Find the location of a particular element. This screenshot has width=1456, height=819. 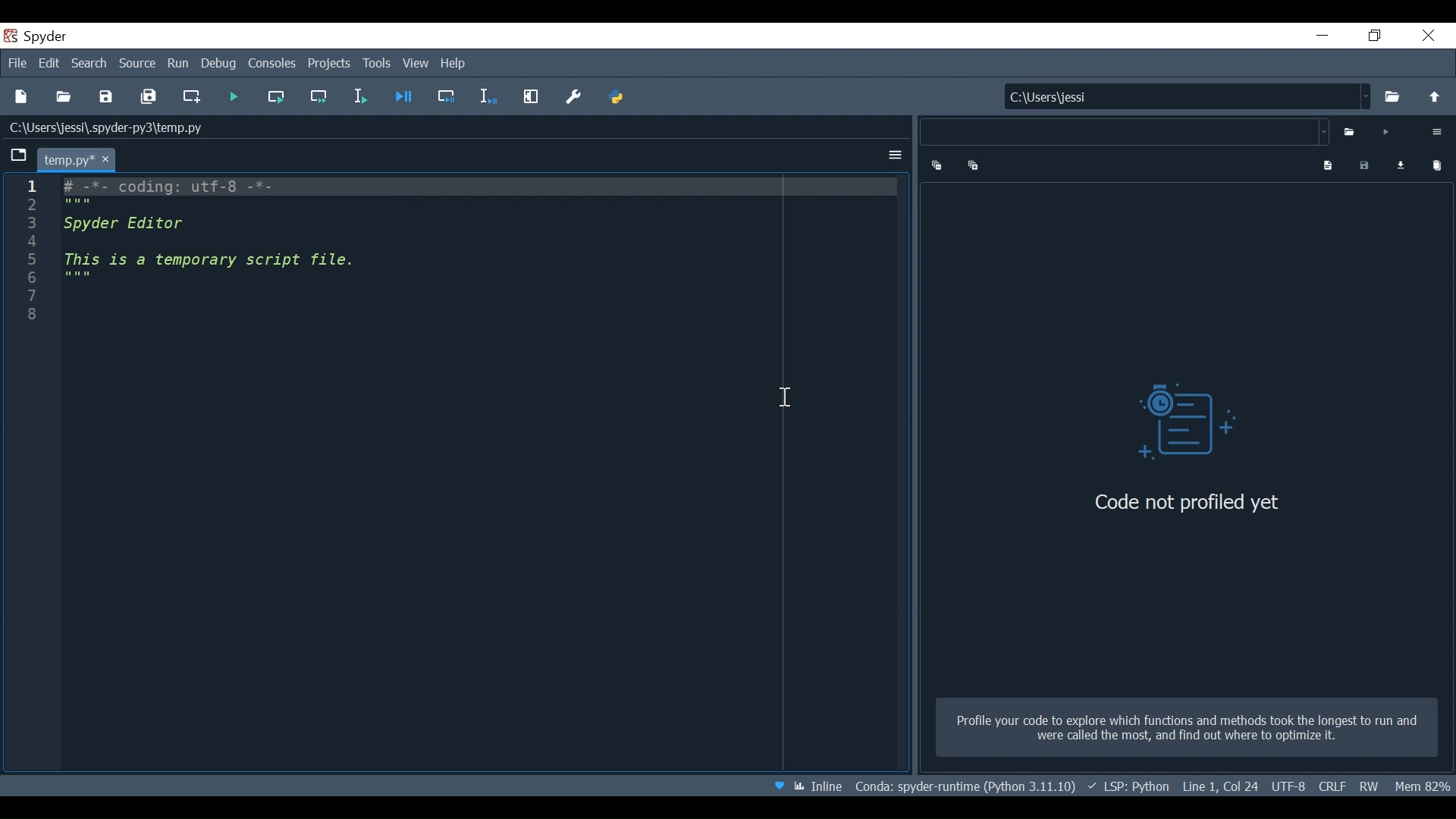

Save File is located at coordinates (106, 98).